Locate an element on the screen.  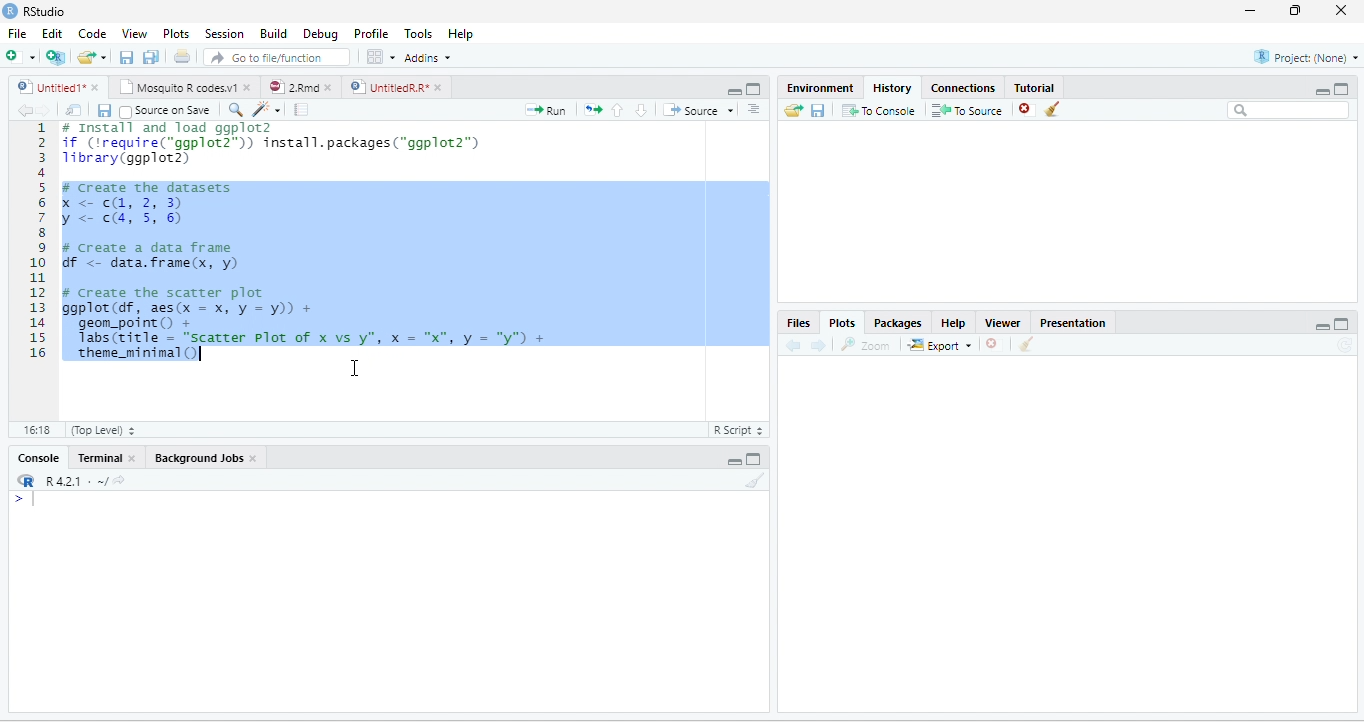
close is located at coordinates (328, 87).